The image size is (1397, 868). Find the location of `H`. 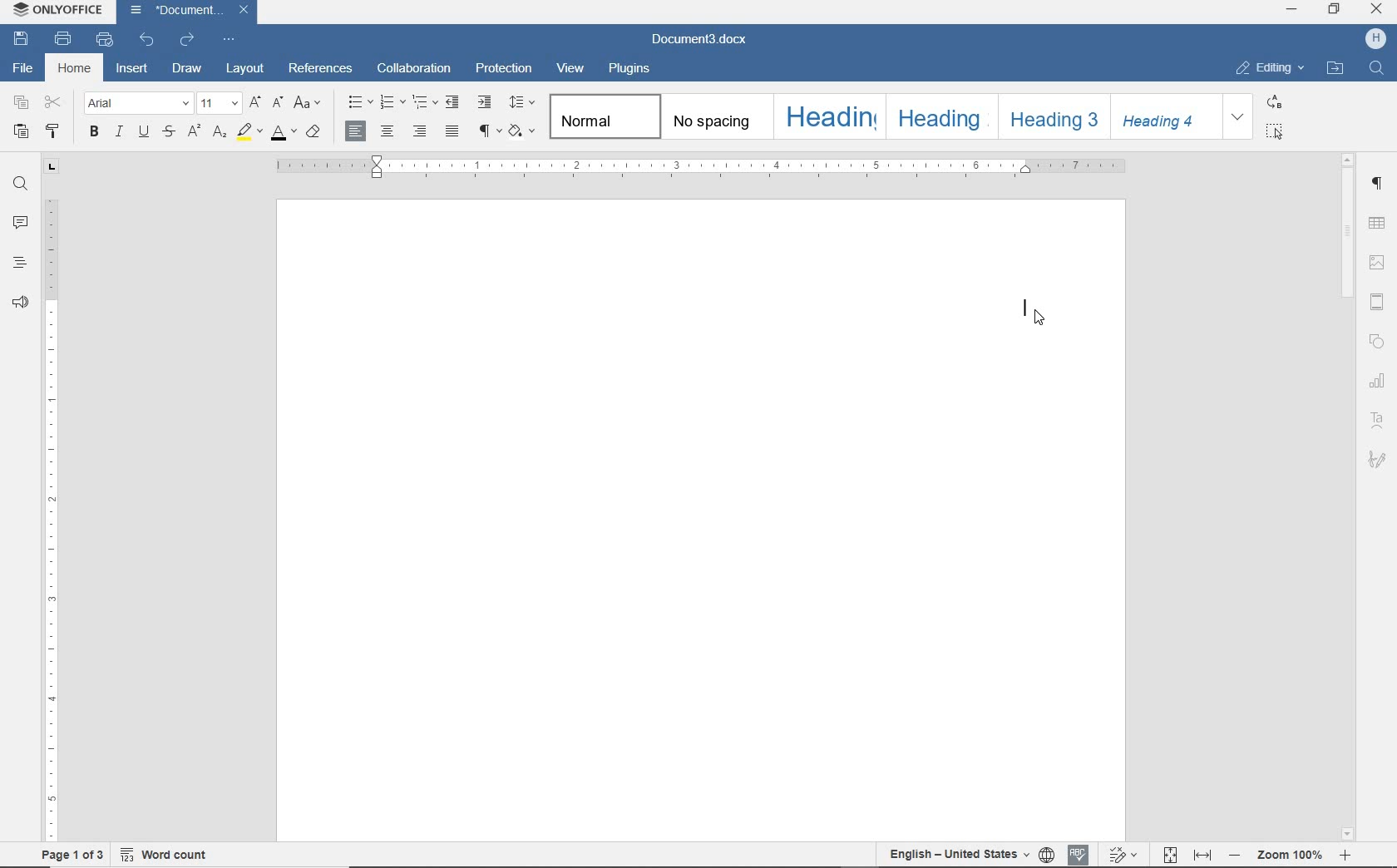

H is located at coordinates (1375, 40).